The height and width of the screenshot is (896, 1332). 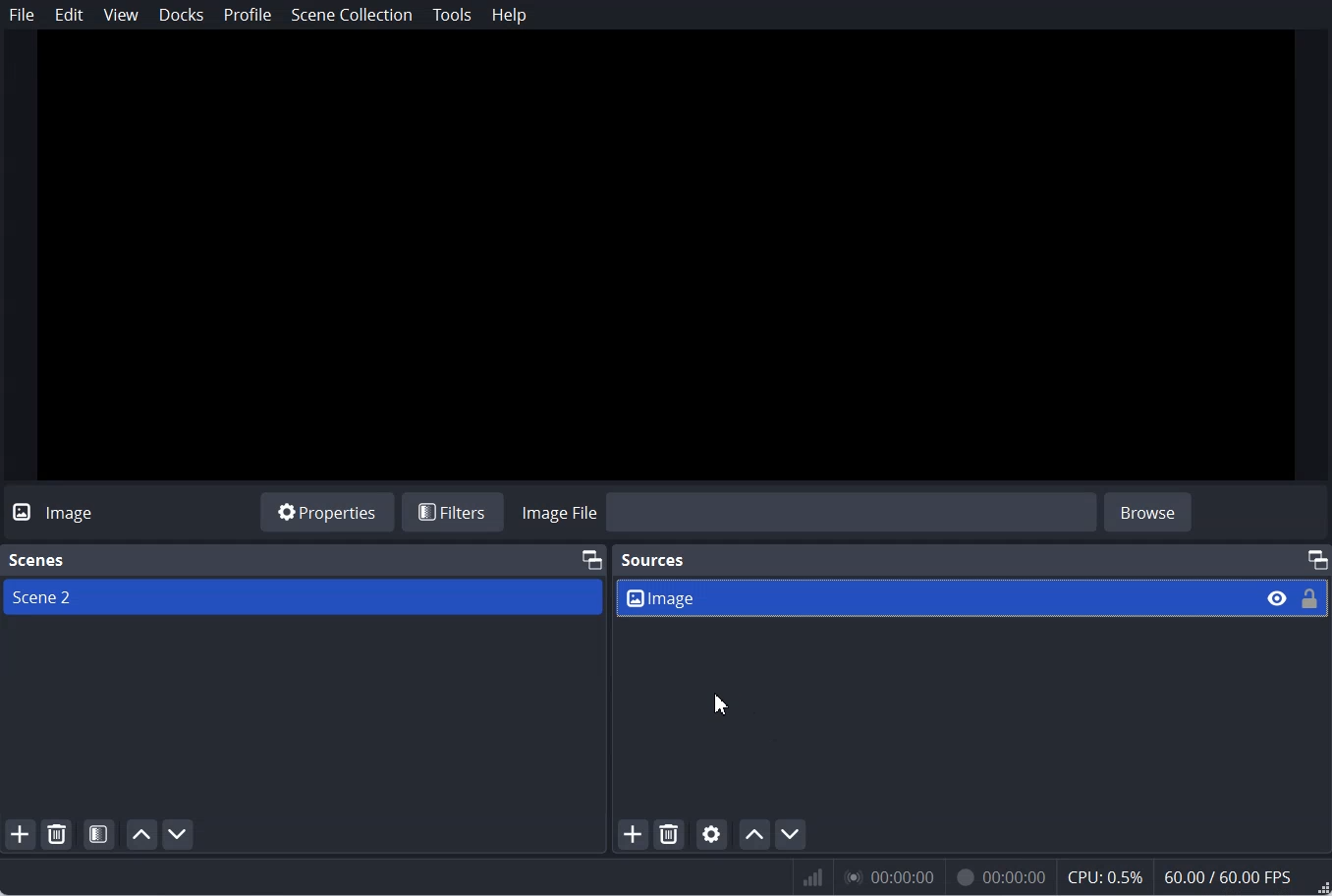 What do you see at coordinates (57, 834) in the screenshot?
I see `Remove selected Scene` at bounding box center [57, 834].